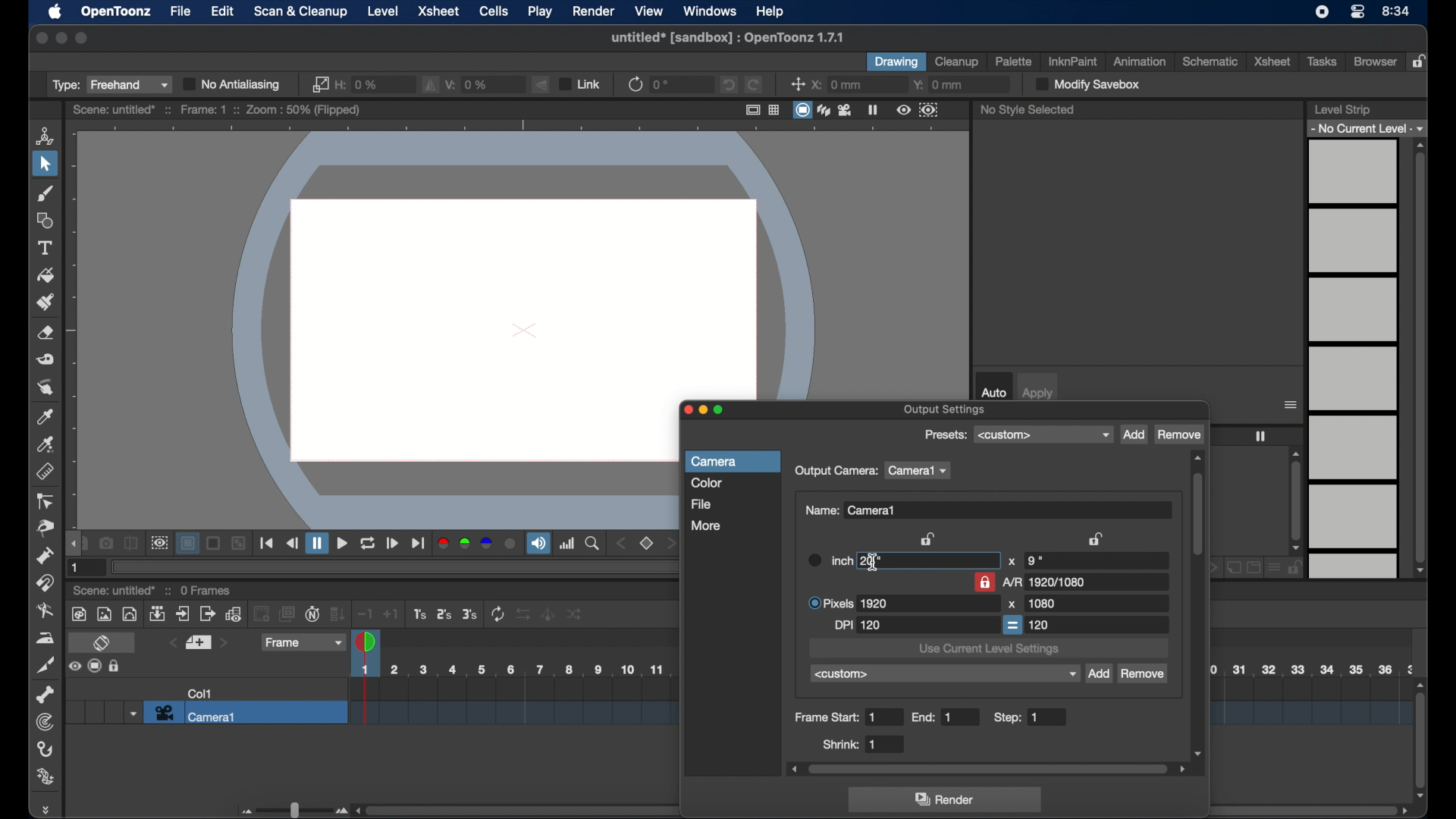 The height and width of the screenshot is (819, 1456). I want to click on preview, so click(918, 110).